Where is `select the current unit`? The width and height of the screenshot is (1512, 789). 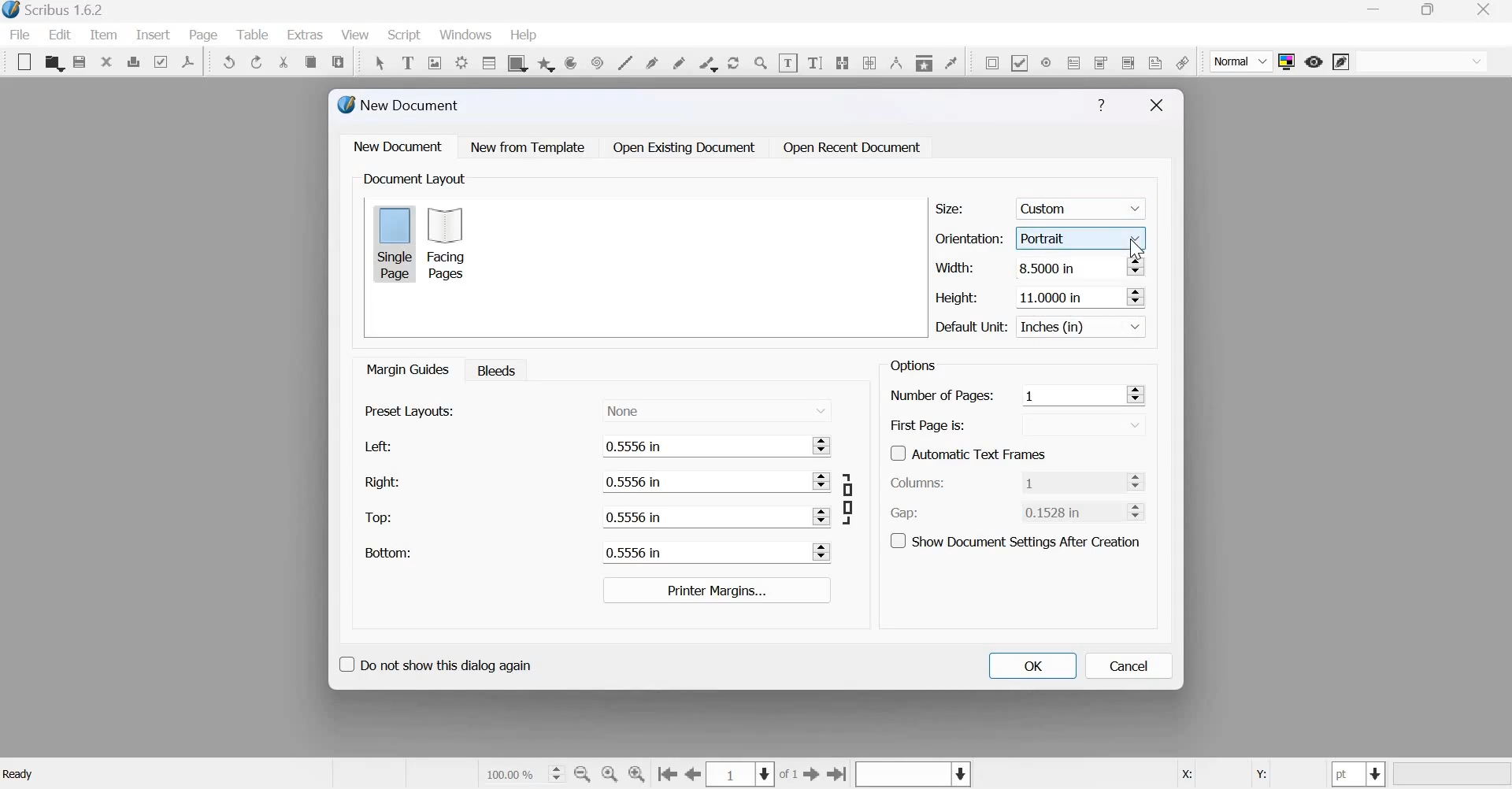
select the current unit is located at coordinates (1359, 774).